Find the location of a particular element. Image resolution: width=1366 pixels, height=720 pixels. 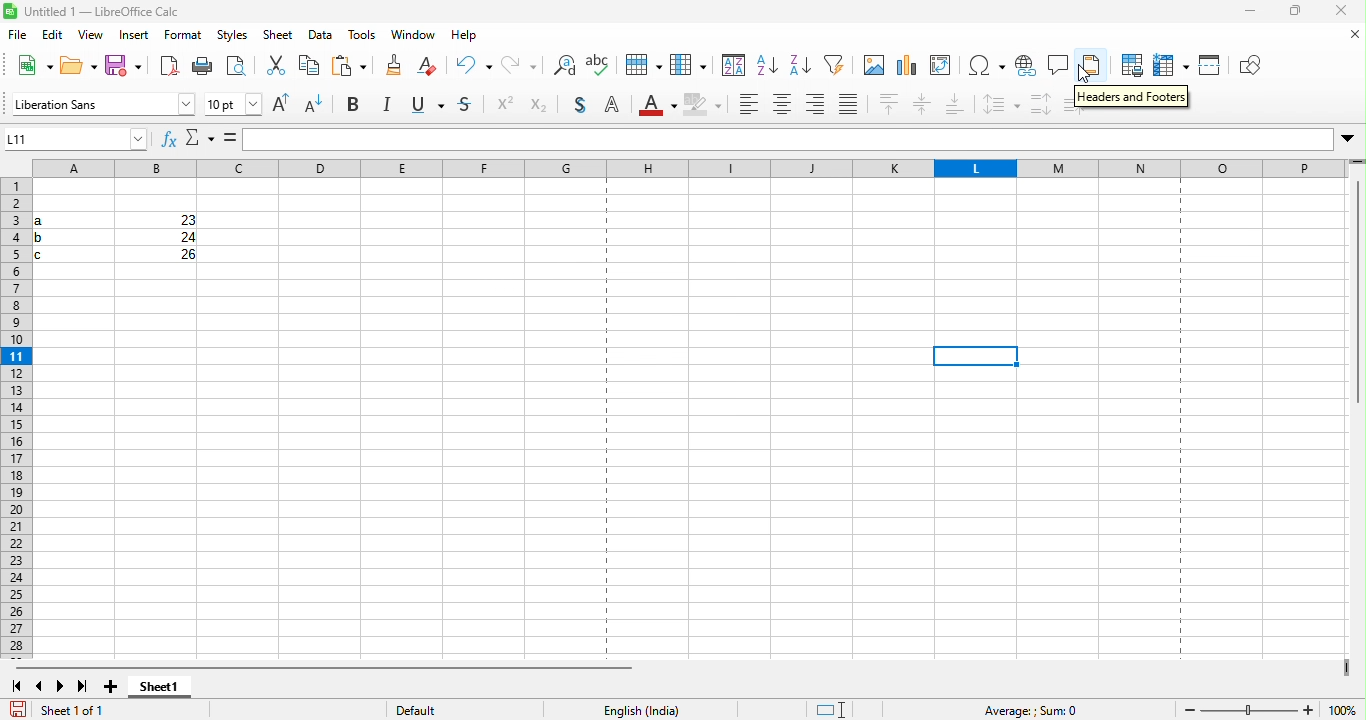

function wizard is located at coordinates (165, 139).